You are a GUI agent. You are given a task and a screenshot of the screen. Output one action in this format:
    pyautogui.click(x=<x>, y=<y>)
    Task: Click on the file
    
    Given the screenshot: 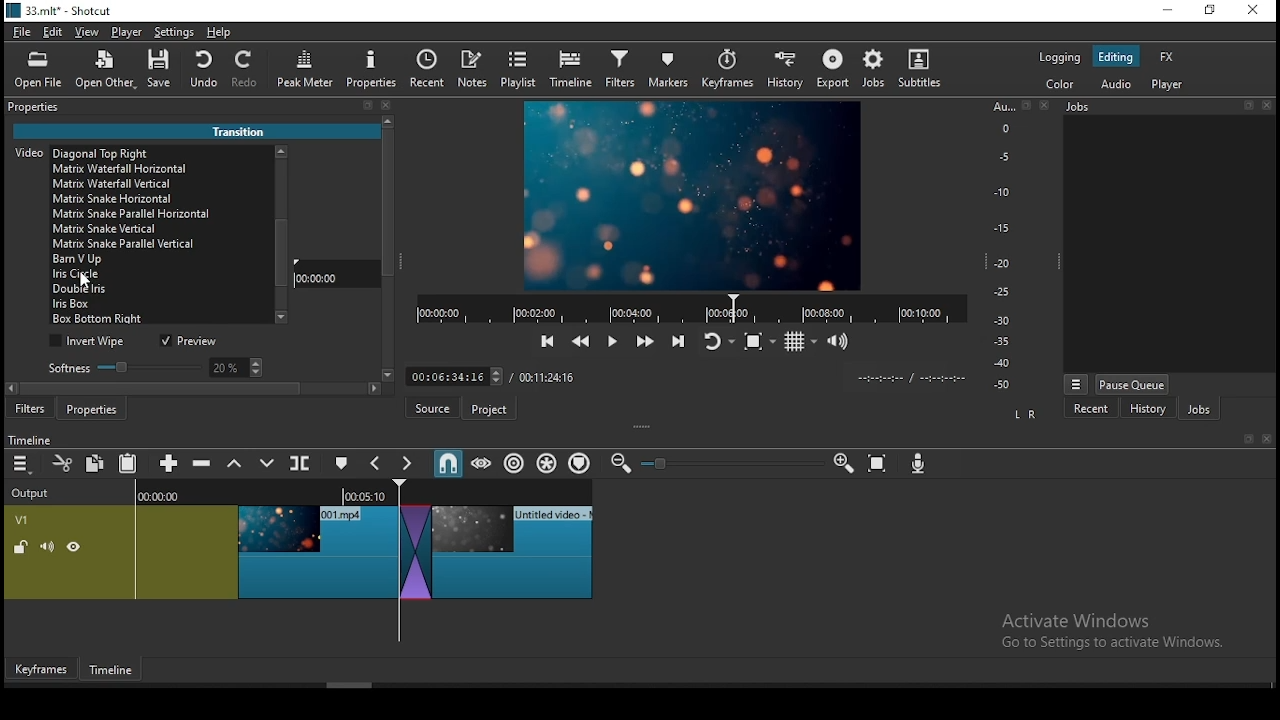 What is the action you would take?
    pyautogui.click(x=23, y=33)
    